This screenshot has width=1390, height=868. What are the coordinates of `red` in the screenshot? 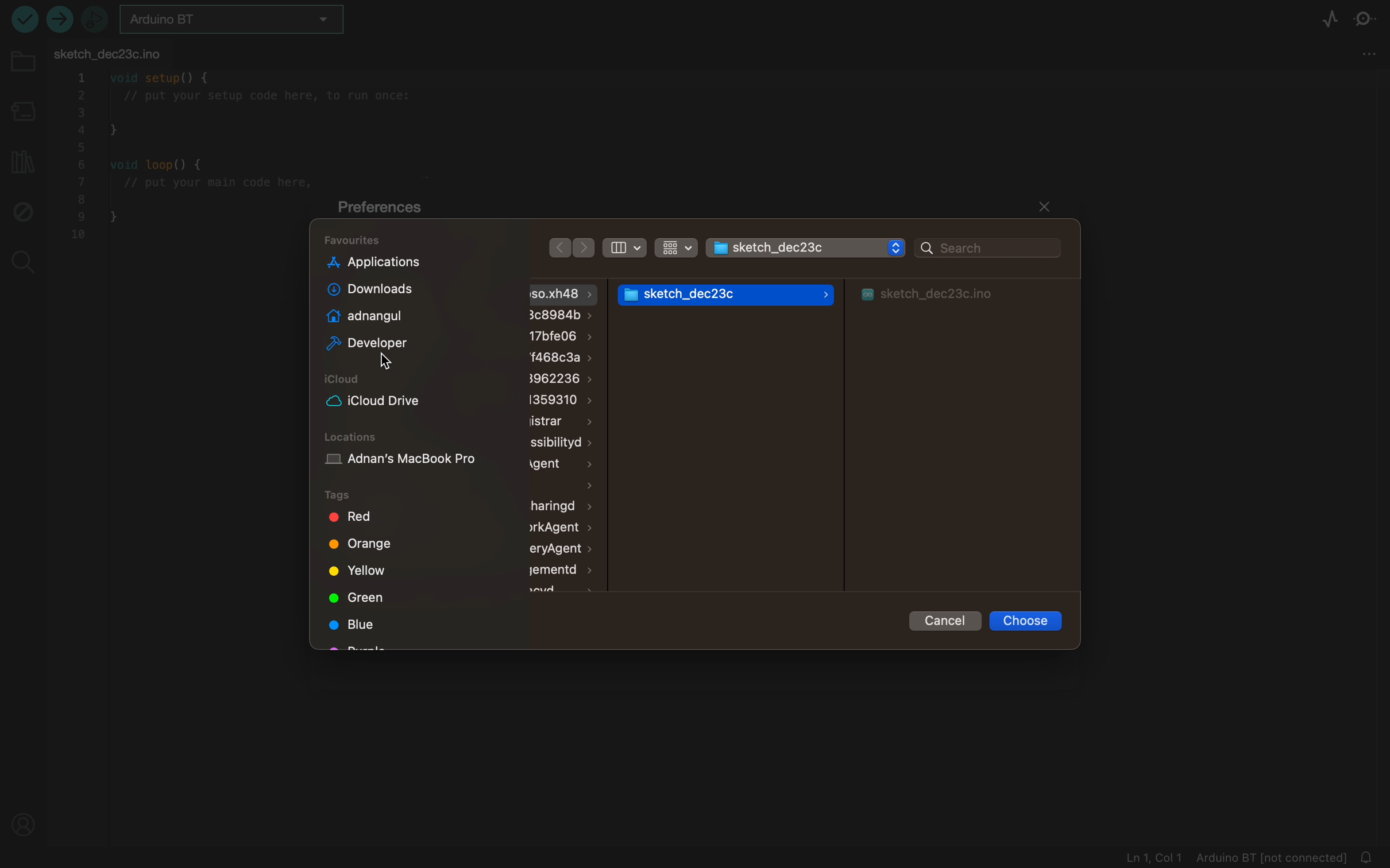 It's located at (350, 518).